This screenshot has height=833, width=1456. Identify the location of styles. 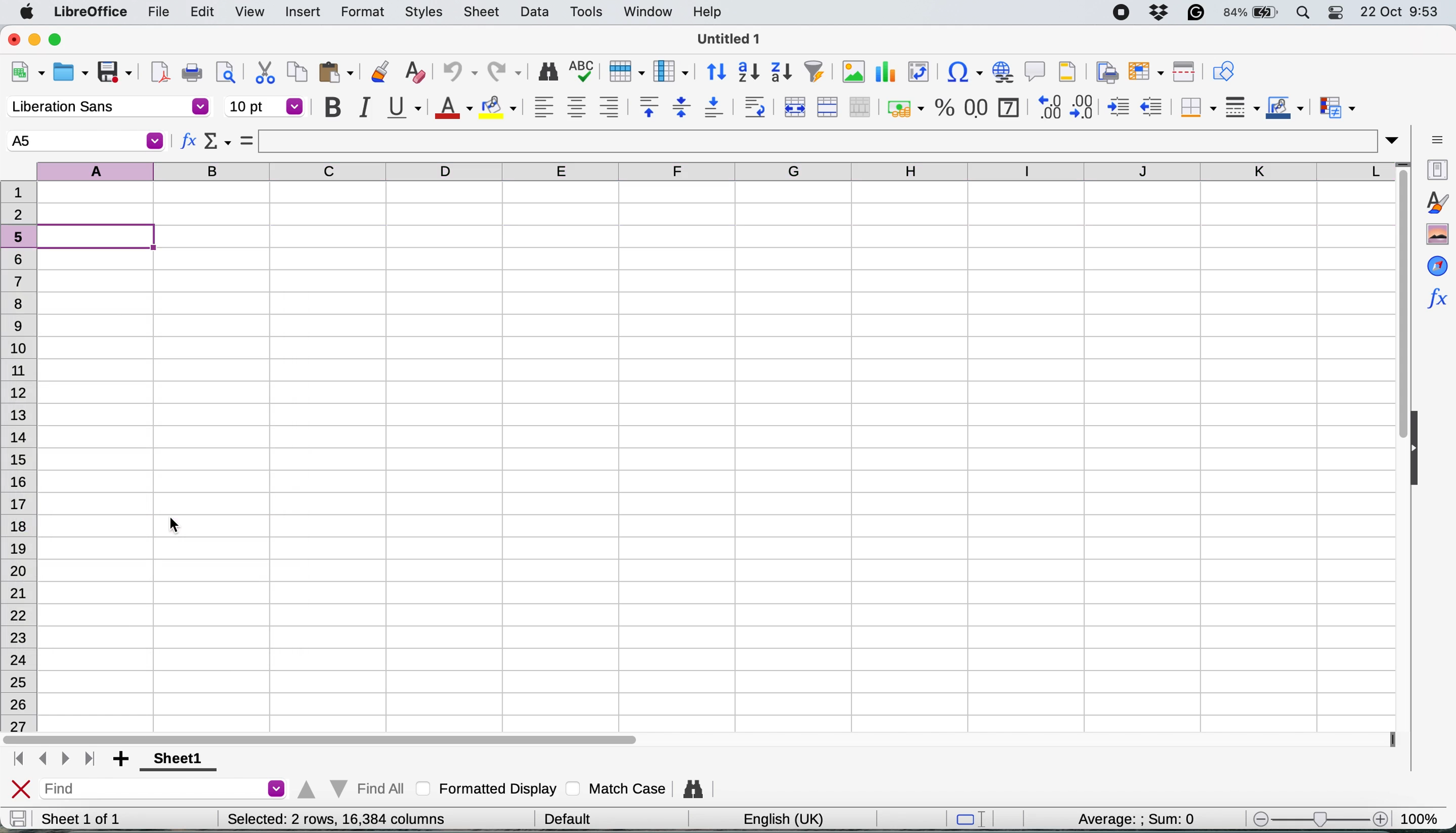
(1436, 202).